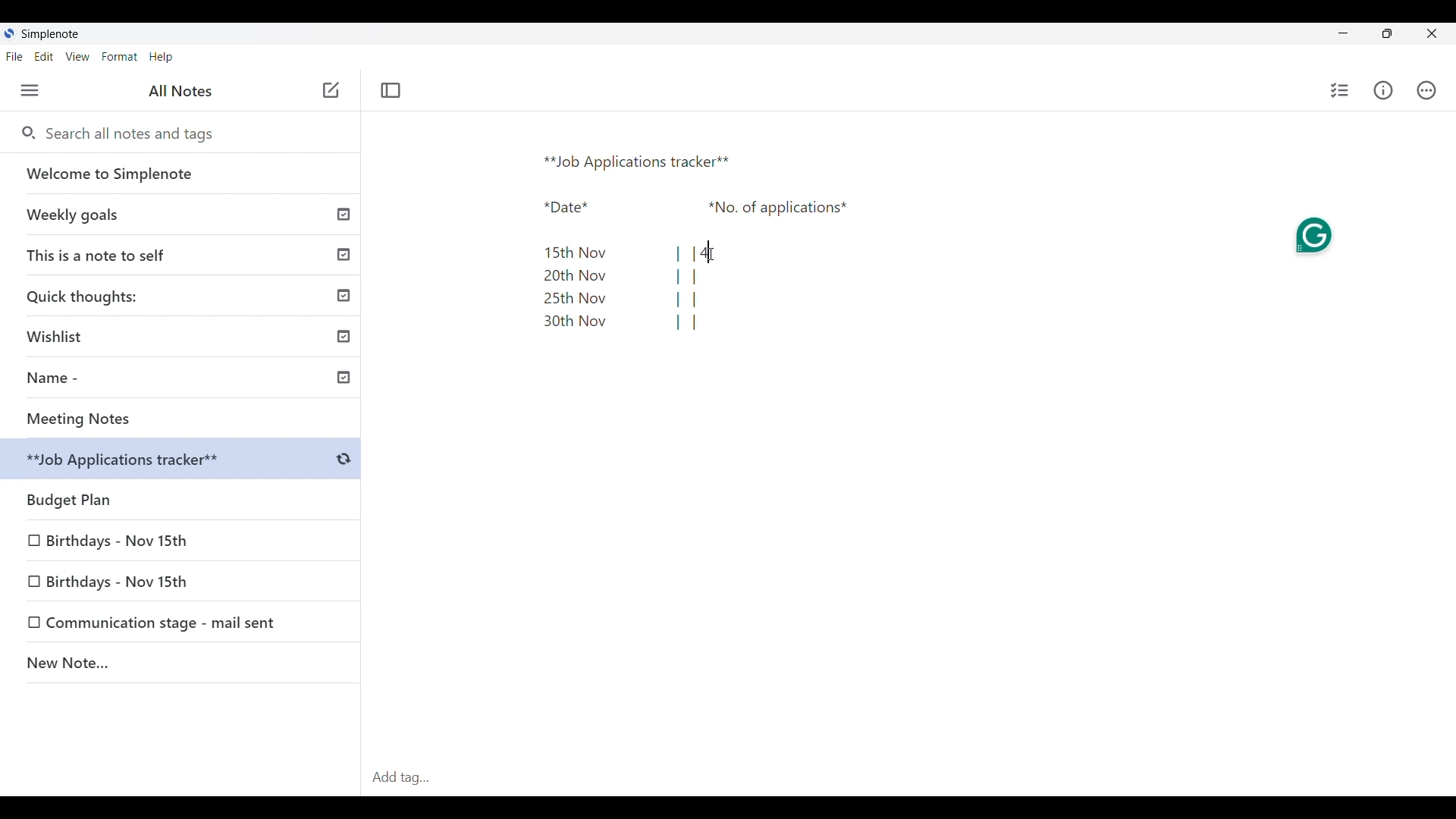  Describe the element at coordinates (146, 579) in the screenshot. I see `Birthdays - Nov 15th` at that location.